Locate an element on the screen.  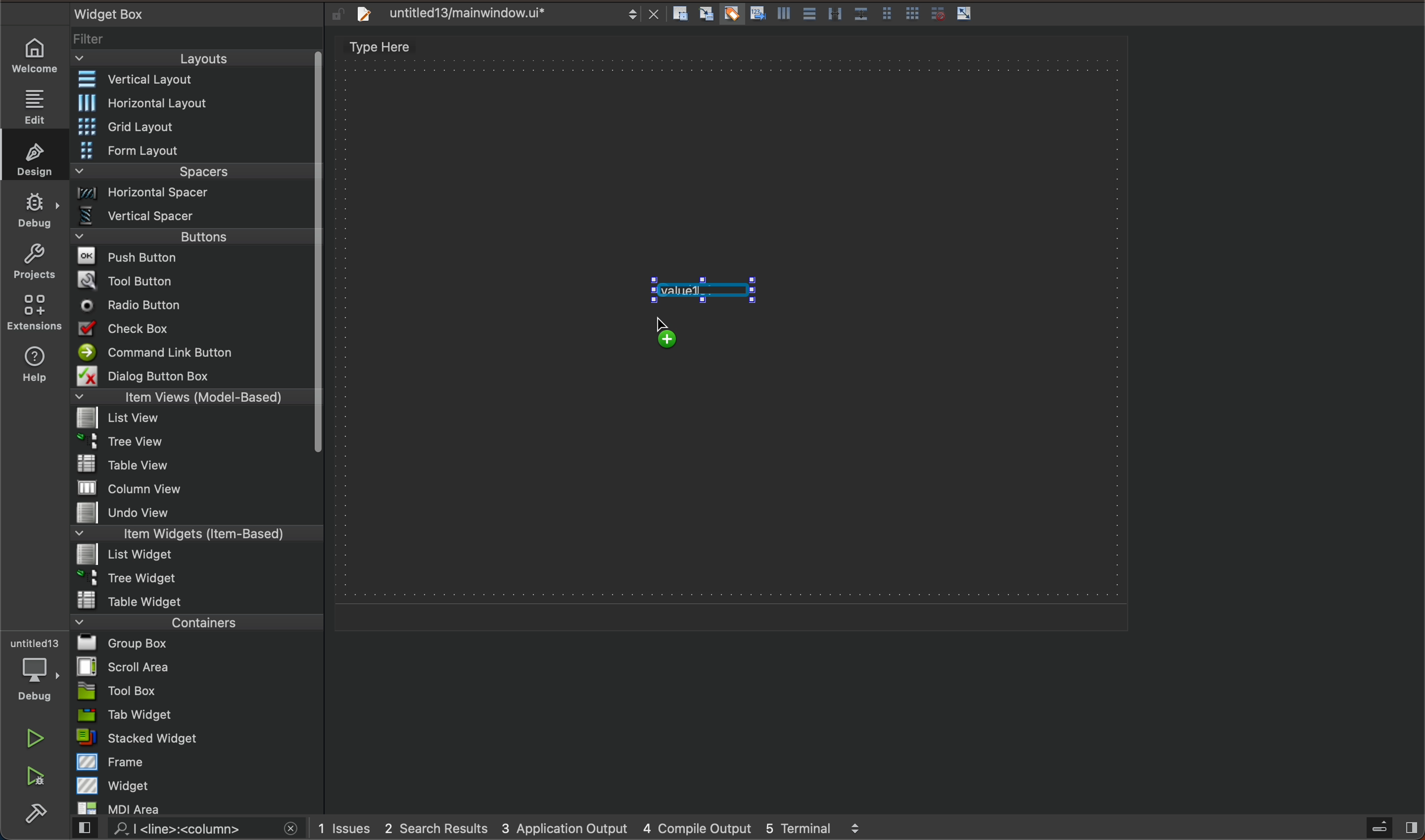
tool button is located at coordinates (194, 280).